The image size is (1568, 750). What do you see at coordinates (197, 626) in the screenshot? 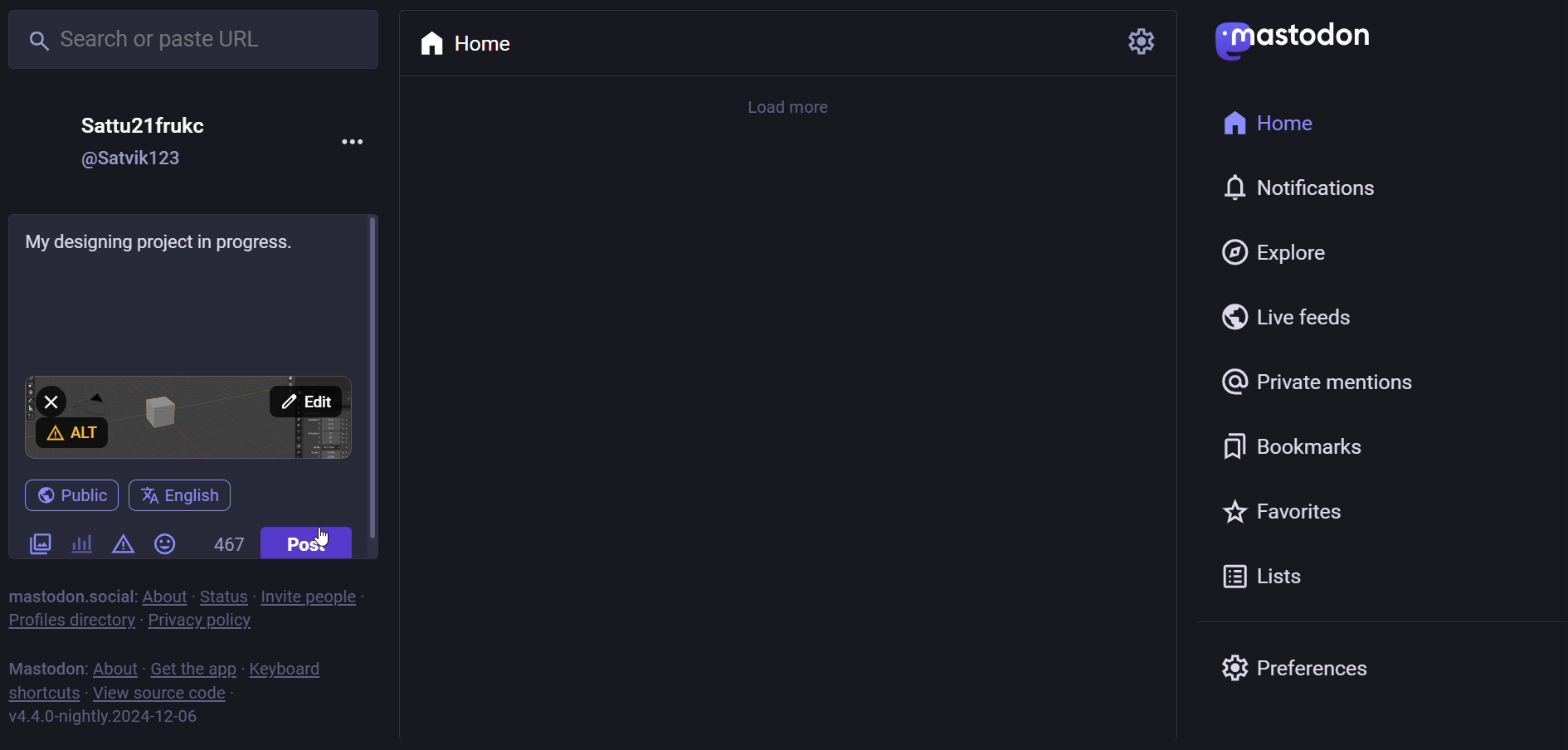
I see `privacy` at bounding box center [197, 626].